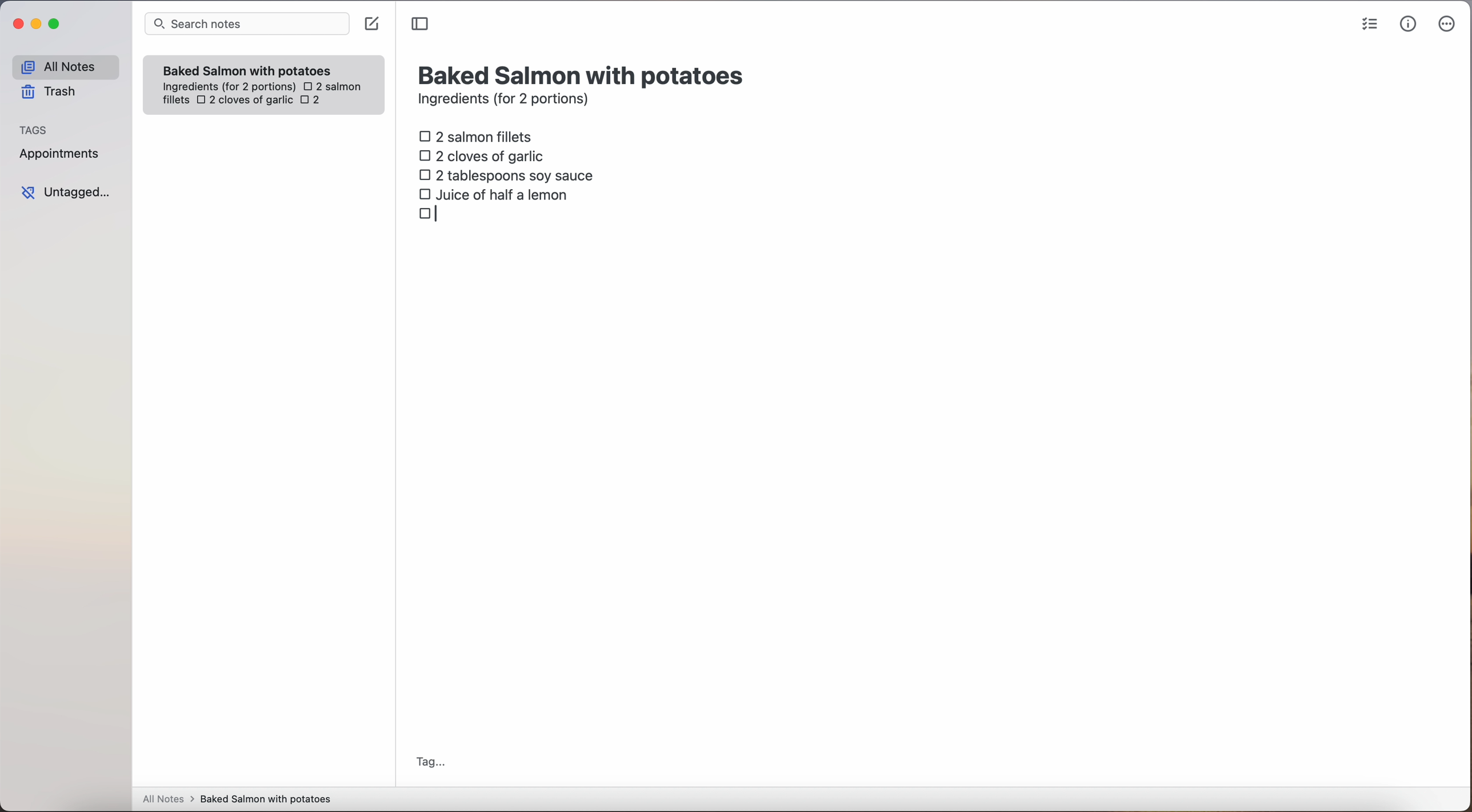 Image resolution: width=1472 pixels, height=812 pixels. I want to click on 2 , so click(314, 101).